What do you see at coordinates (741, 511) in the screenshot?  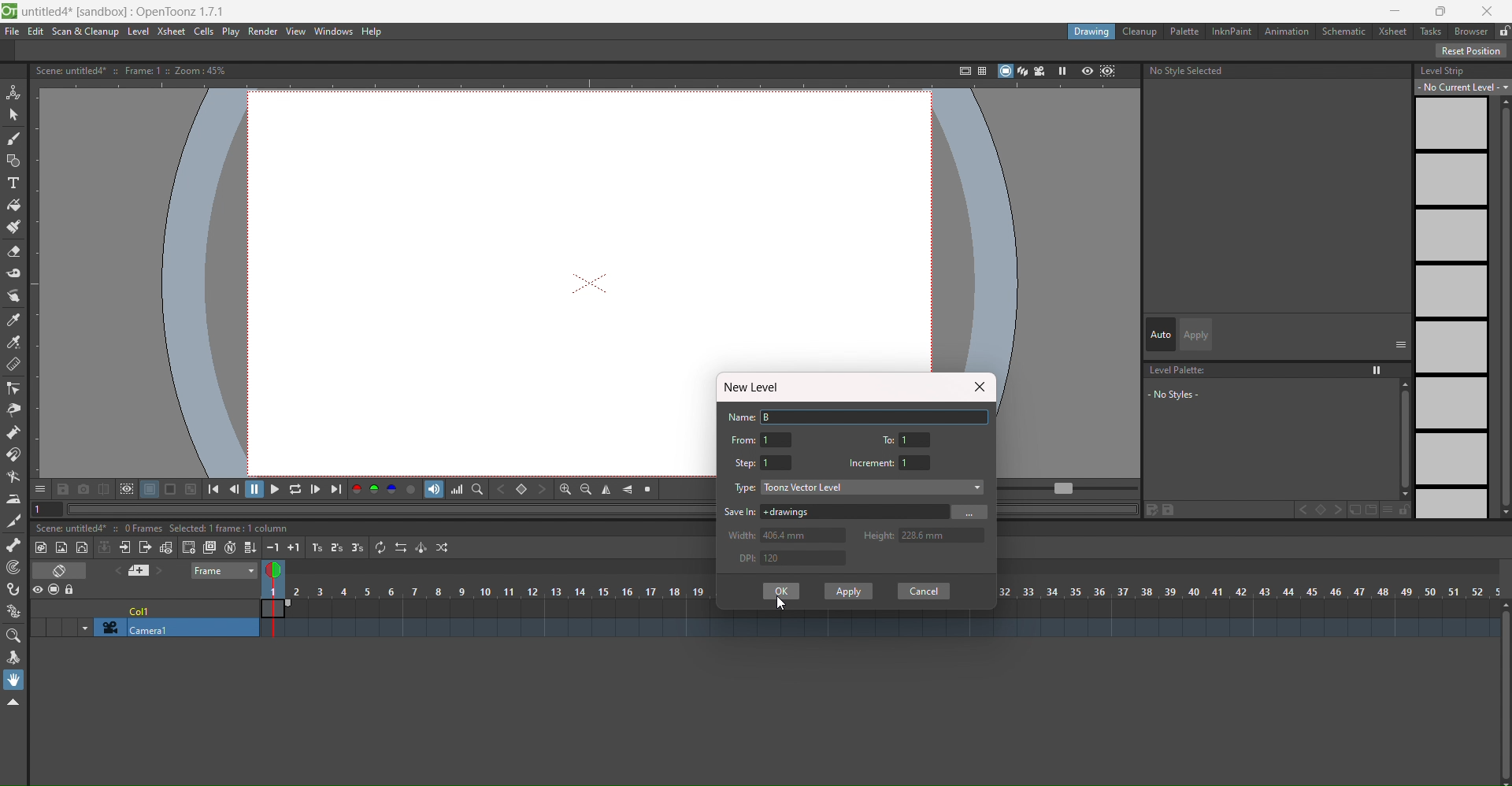 I see `save in` at bounding box center [741, 511].